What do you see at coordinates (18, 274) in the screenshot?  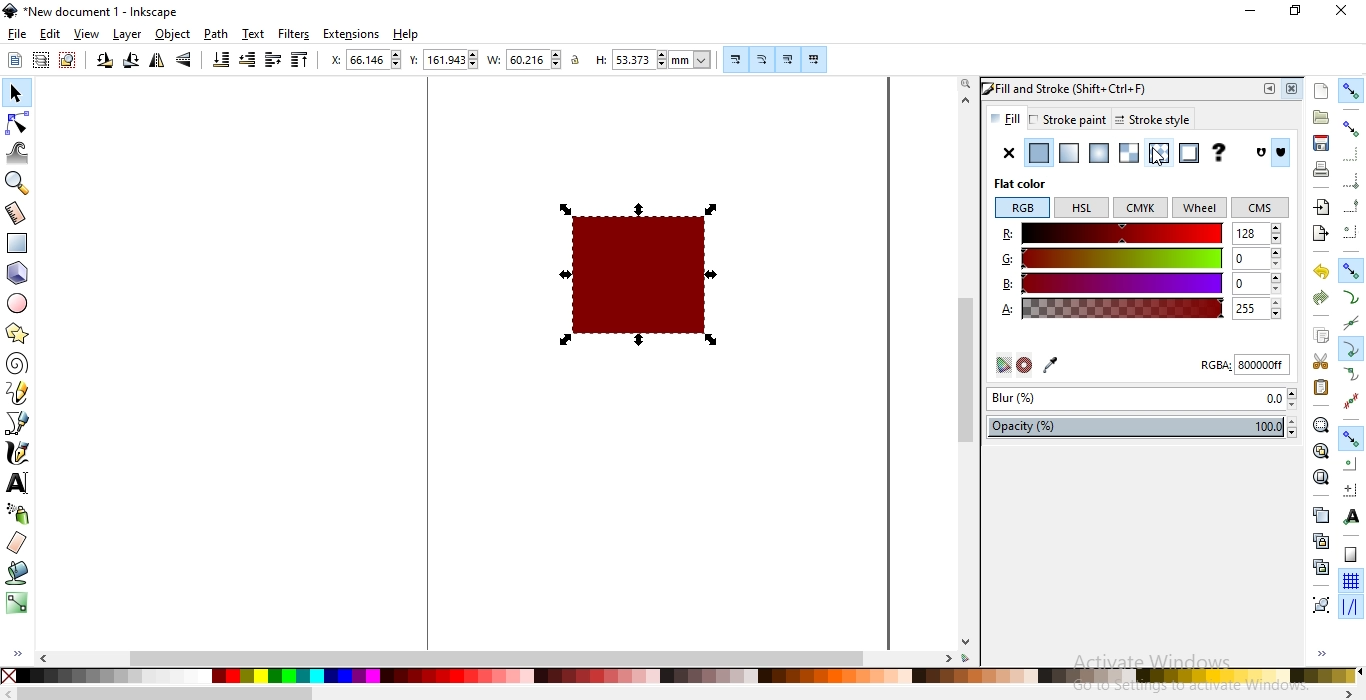 I see `create 3d boxes` at bounding box center [18, 274].